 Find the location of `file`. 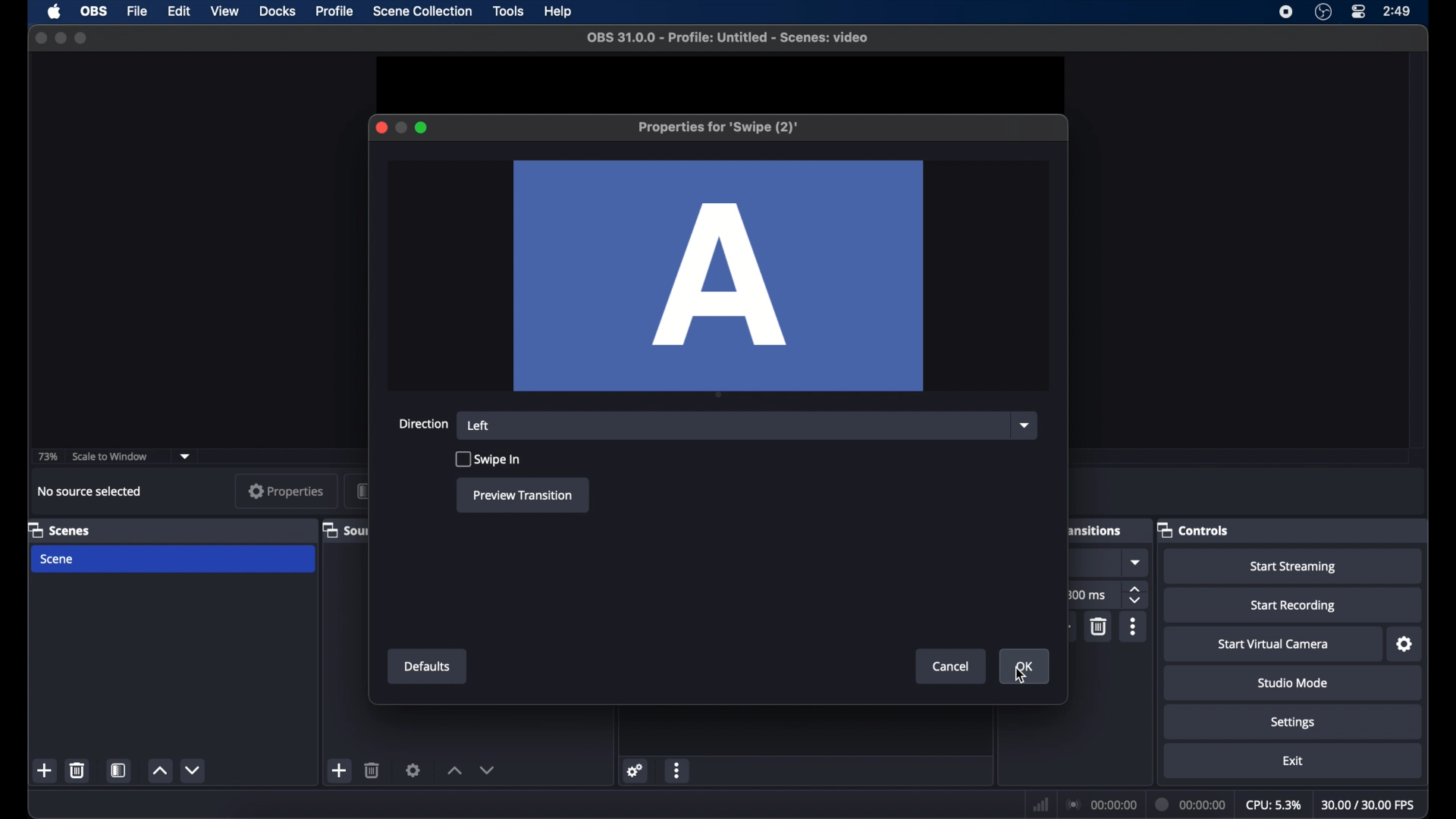

file is located at coordinates (137, 11).